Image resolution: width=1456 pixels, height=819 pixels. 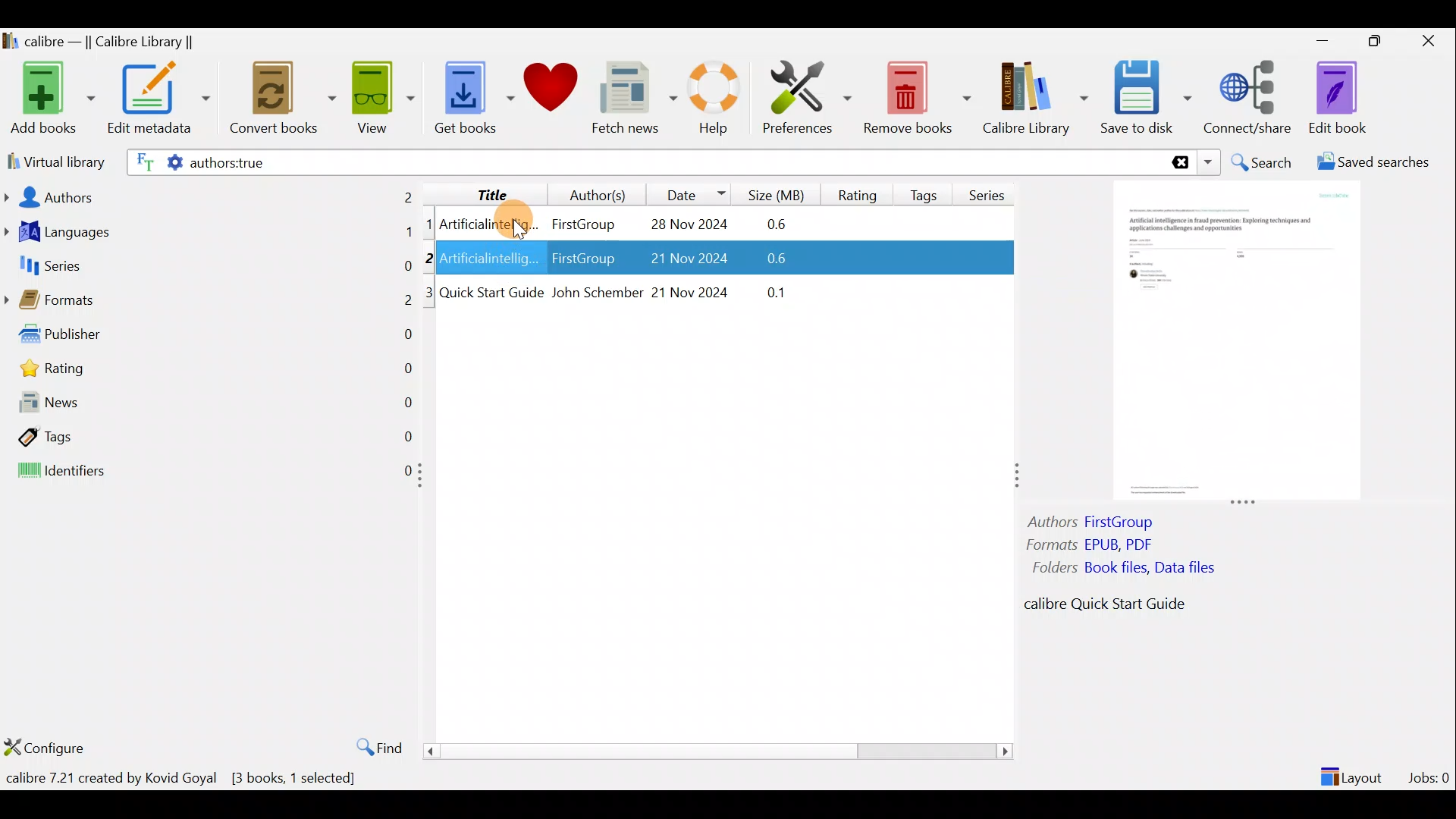 I want to click on News, so click(x=209, y=406).